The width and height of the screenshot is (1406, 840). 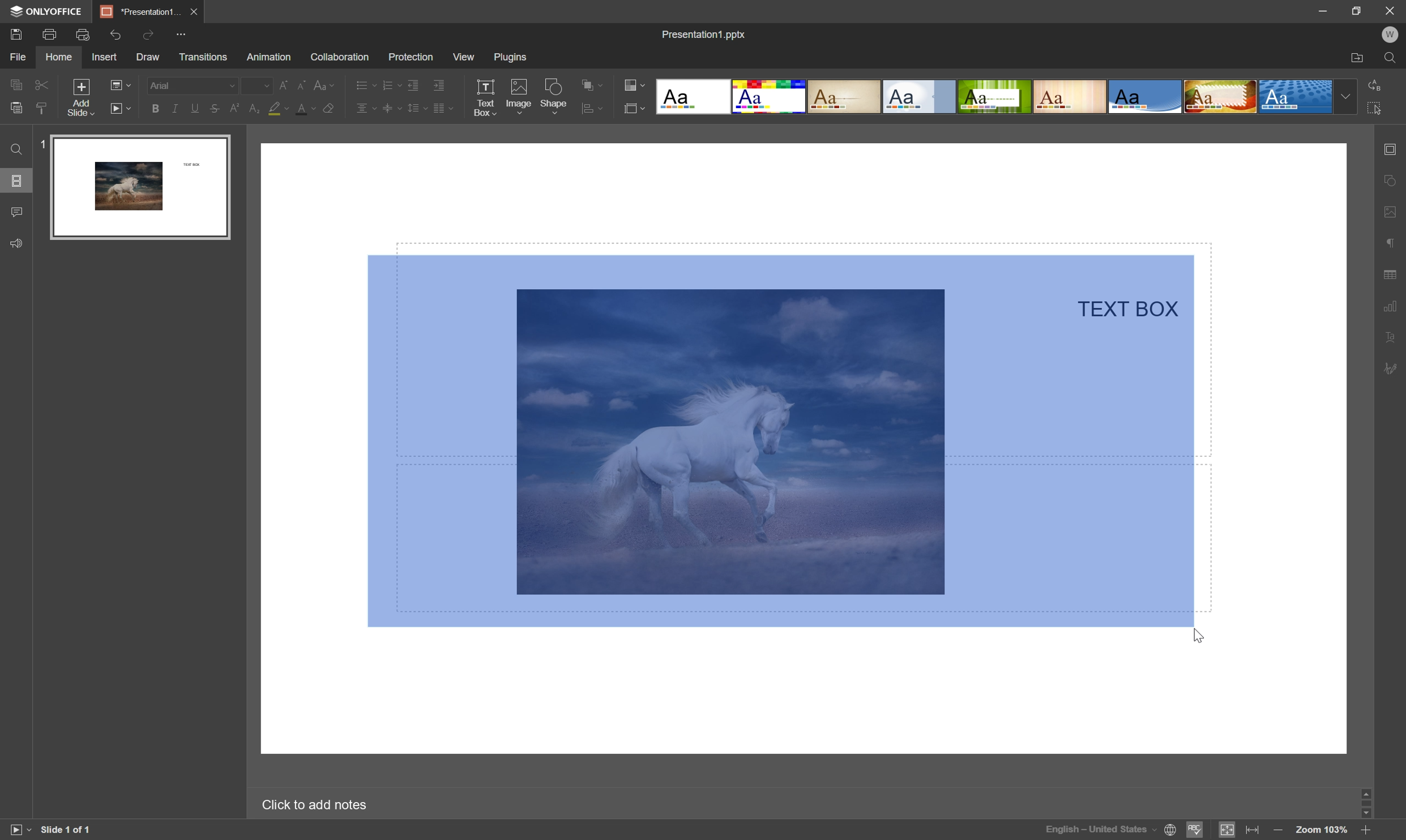 What do you see at coordinates (1321, 9) in the screenshot?
I see `minimize` at bounding box center [1321, 9].